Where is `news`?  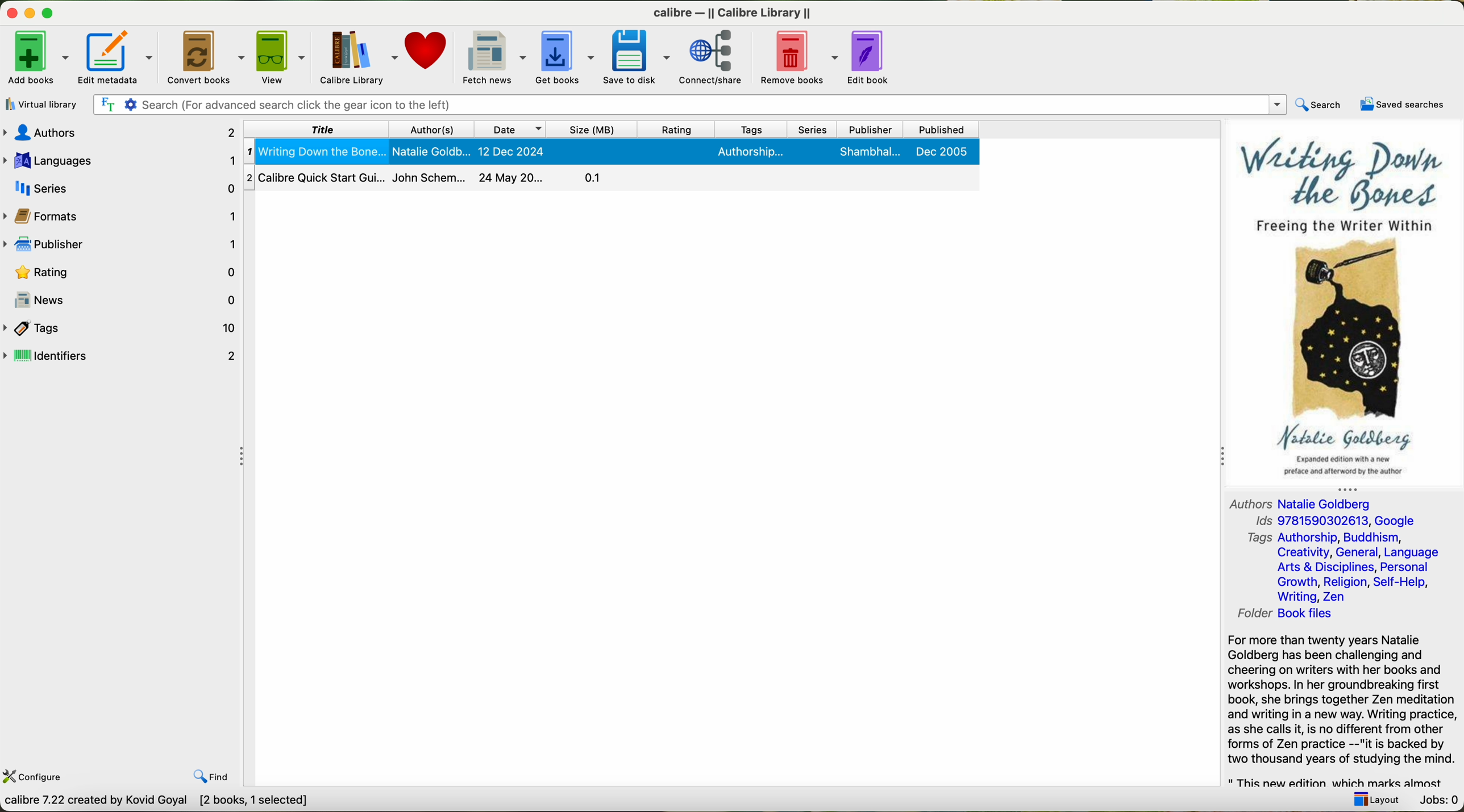 news is located at coordinates (130, 299).